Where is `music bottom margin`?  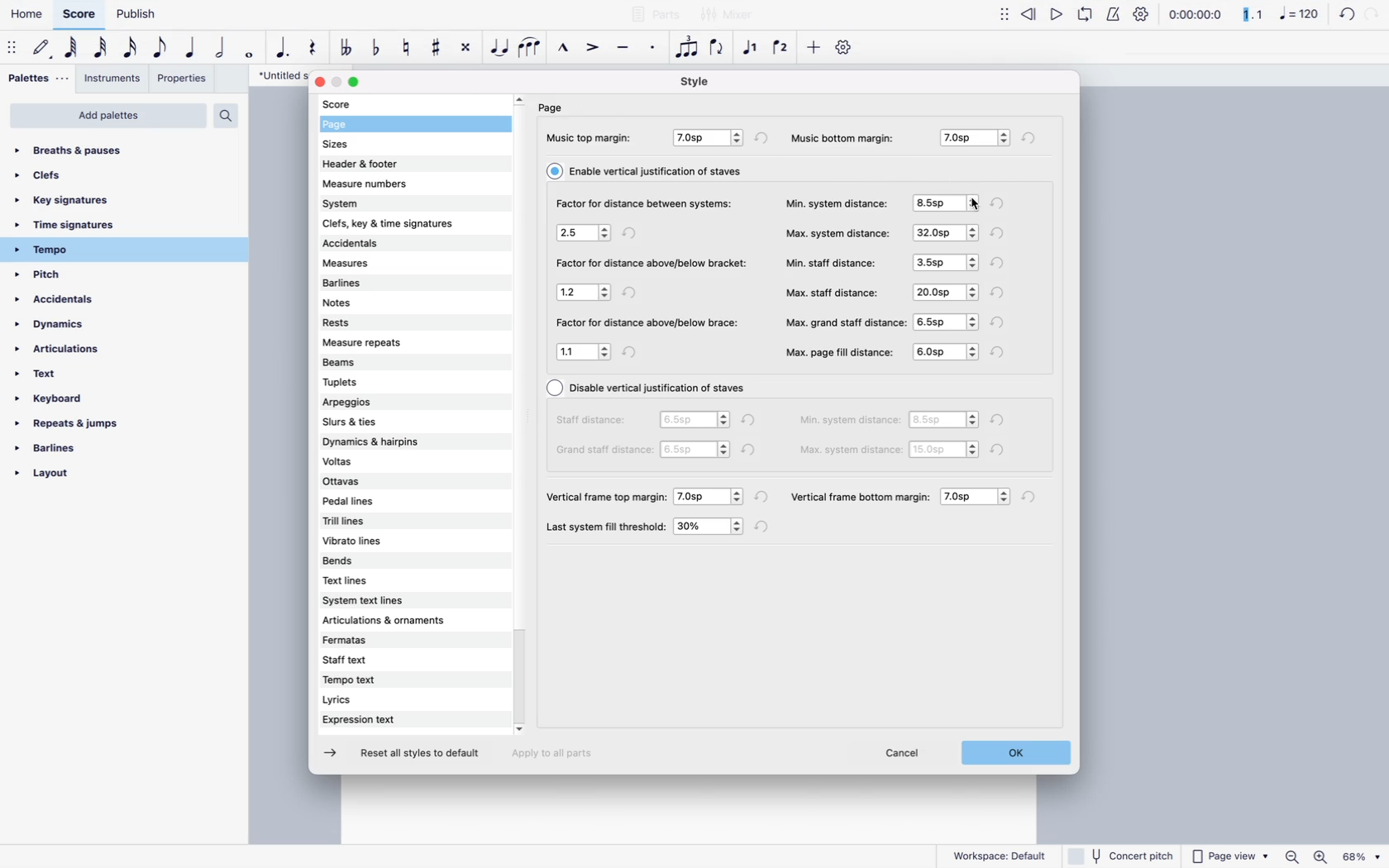
music bottom margin is located at coordinates (850, 136).